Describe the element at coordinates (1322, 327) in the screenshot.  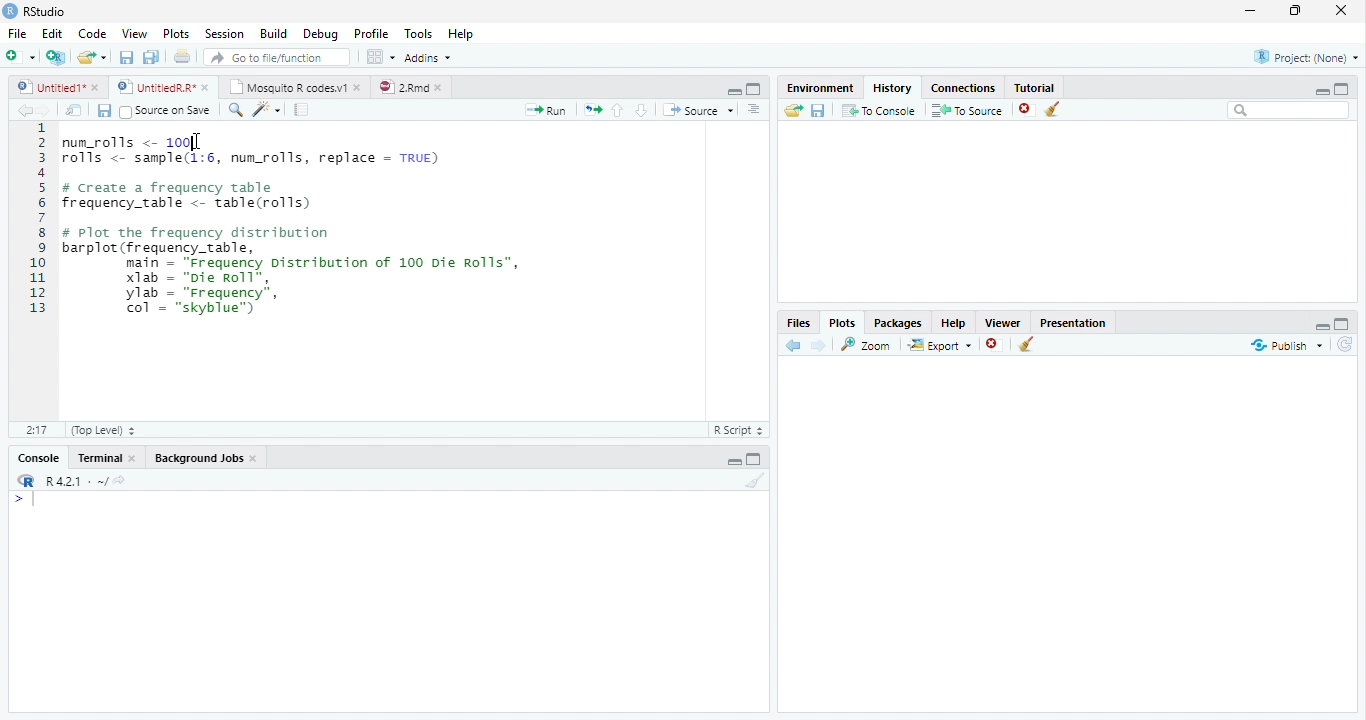
I see `Hide` at that location.